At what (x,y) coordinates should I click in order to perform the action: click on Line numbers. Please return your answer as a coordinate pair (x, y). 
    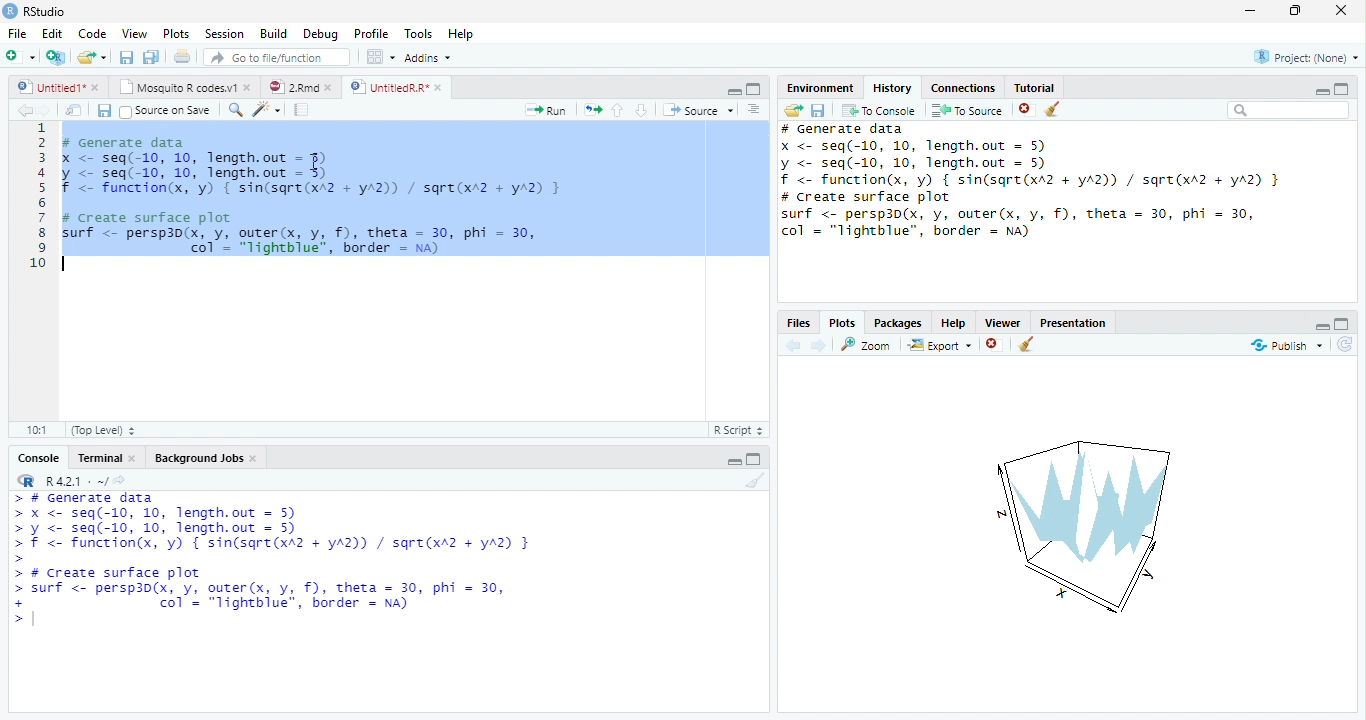
    Looking at the image, I should click on (39, 197).